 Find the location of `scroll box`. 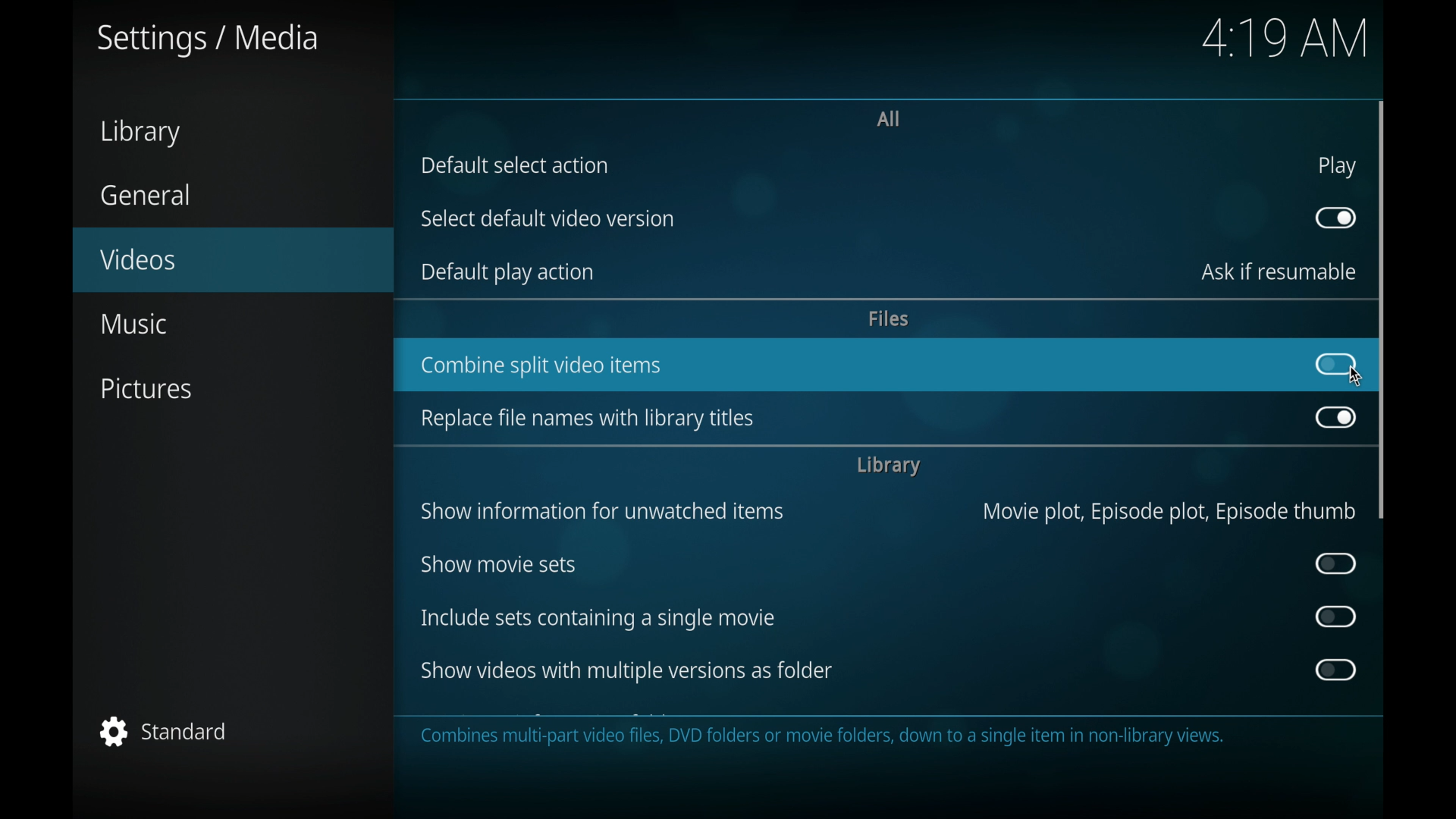

scroll box is located at coordinates (1382, 309).